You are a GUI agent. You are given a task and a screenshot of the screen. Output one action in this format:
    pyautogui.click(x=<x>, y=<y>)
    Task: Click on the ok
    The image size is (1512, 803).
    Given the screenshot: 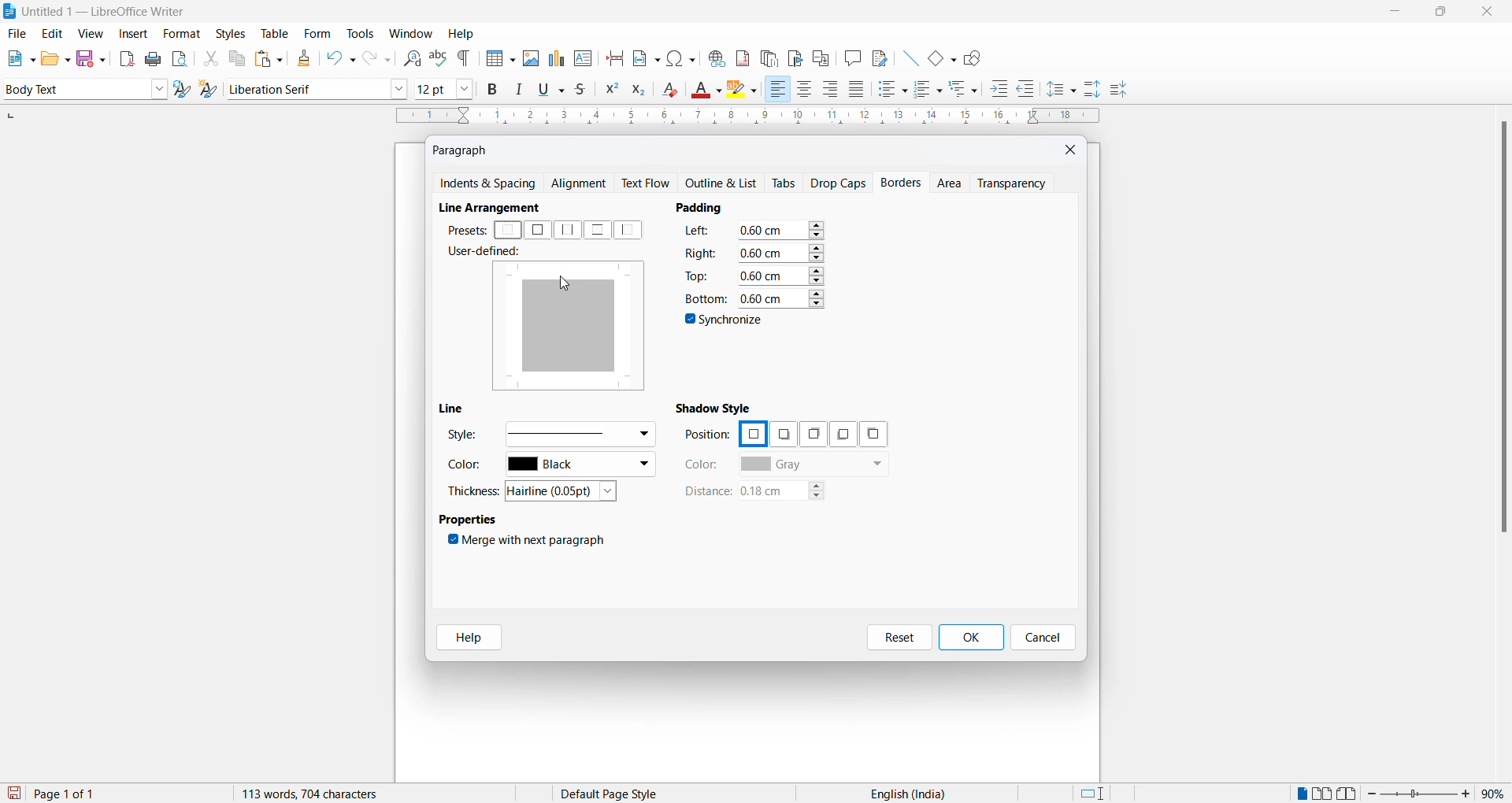 What is the action you would take?
    pyautogui.click(x=970, y=638)
    